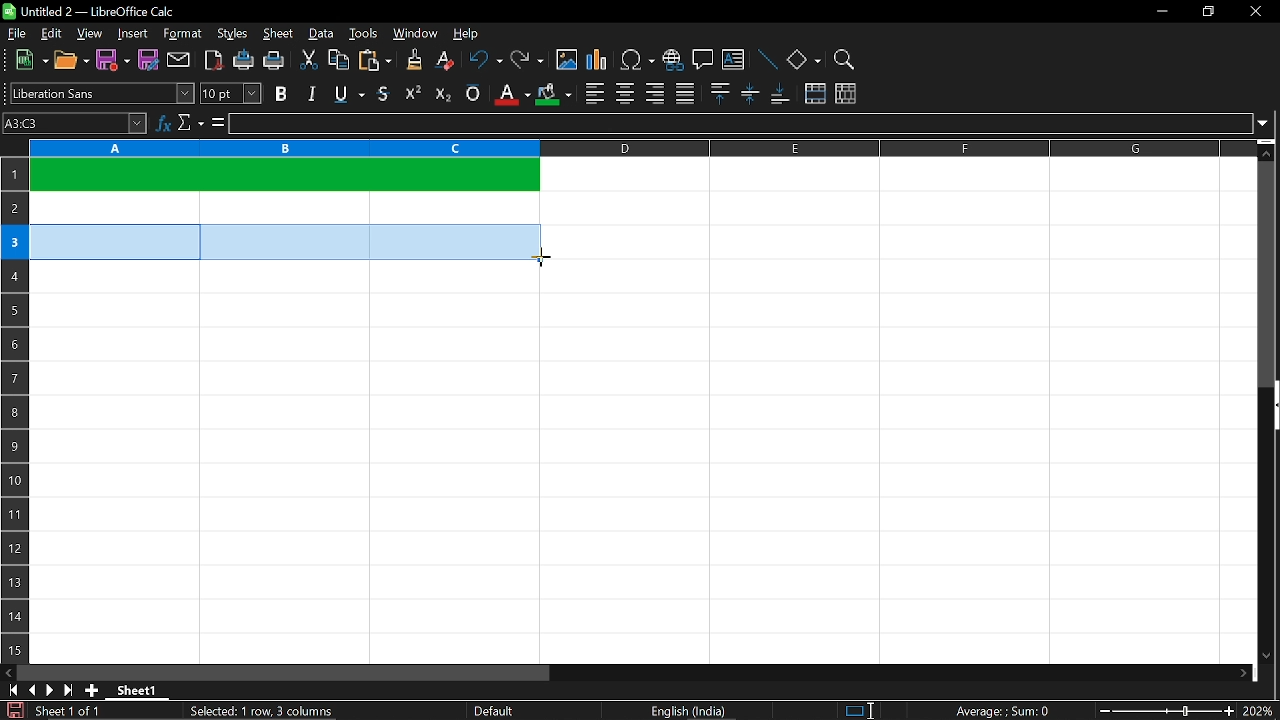 This screenshot has height=720, width=1280. What do you see at coordinates (346, 94) in the screenshot?
I see `underline` at bounding box center [346, 94].